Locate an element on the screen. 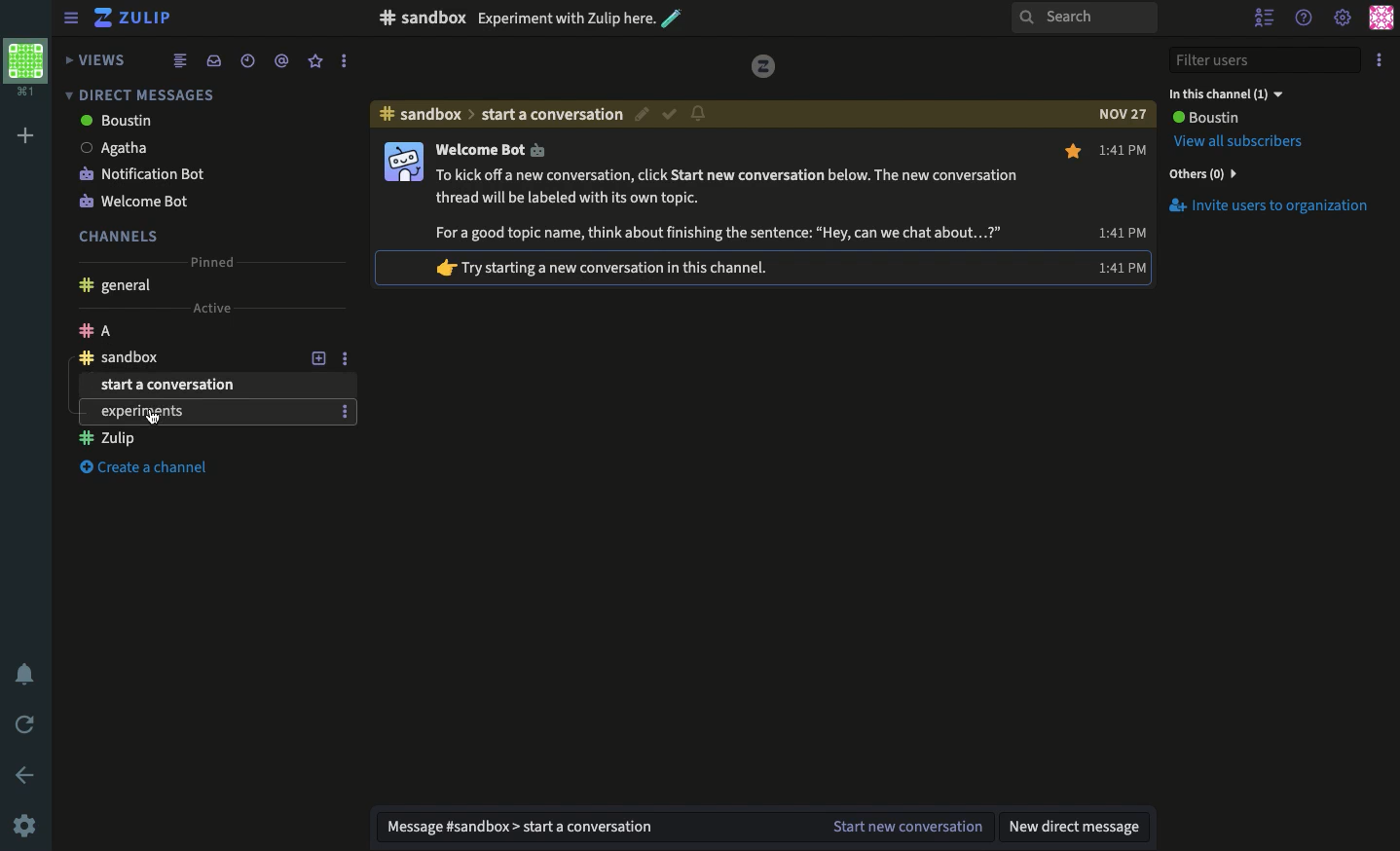 This screenshot has width=1400, height=851. Channel A is located at coordinates (183, 330).